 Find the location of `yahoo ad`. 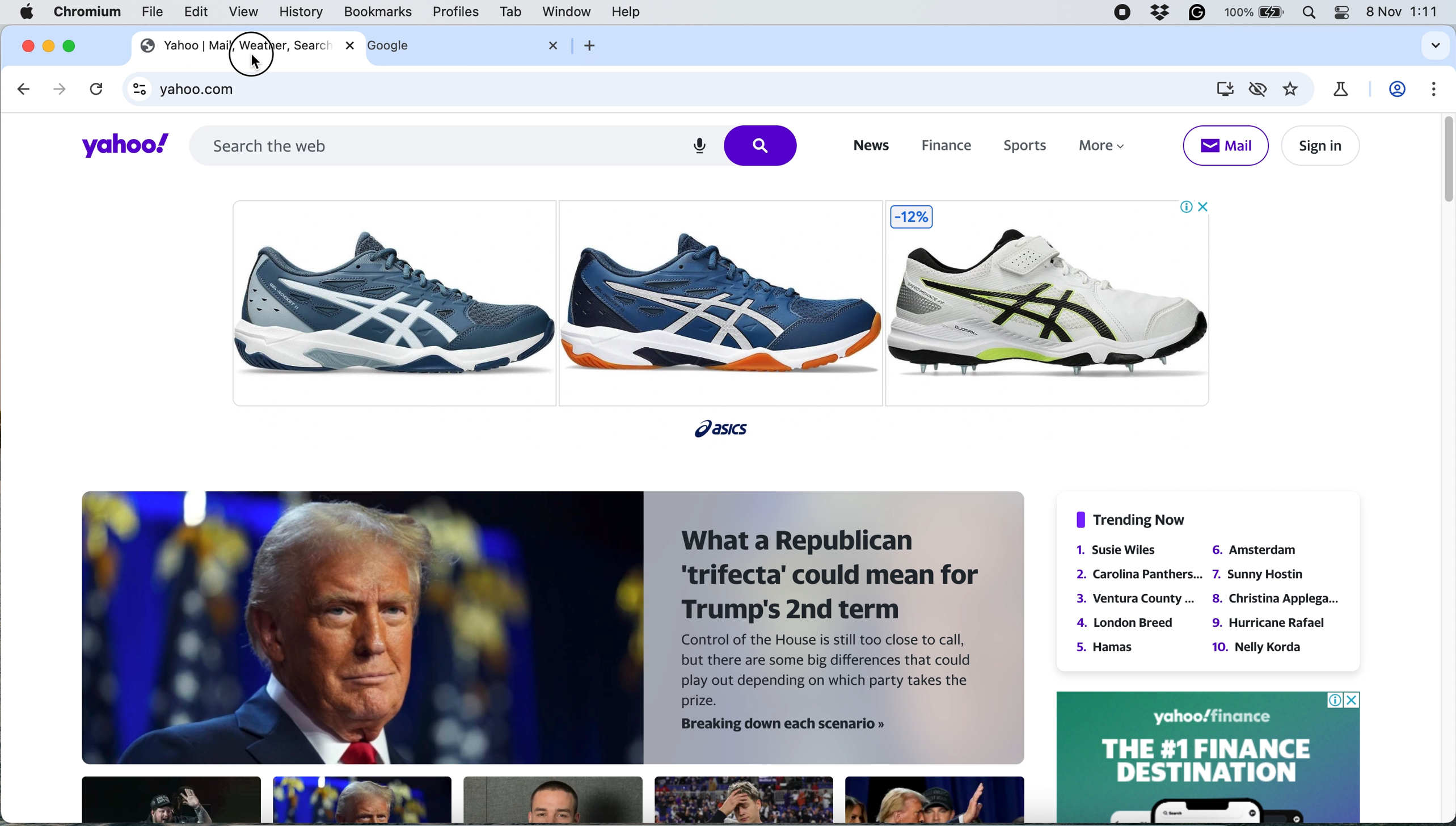

yahoo ad is located at coordinates (1208, 756).